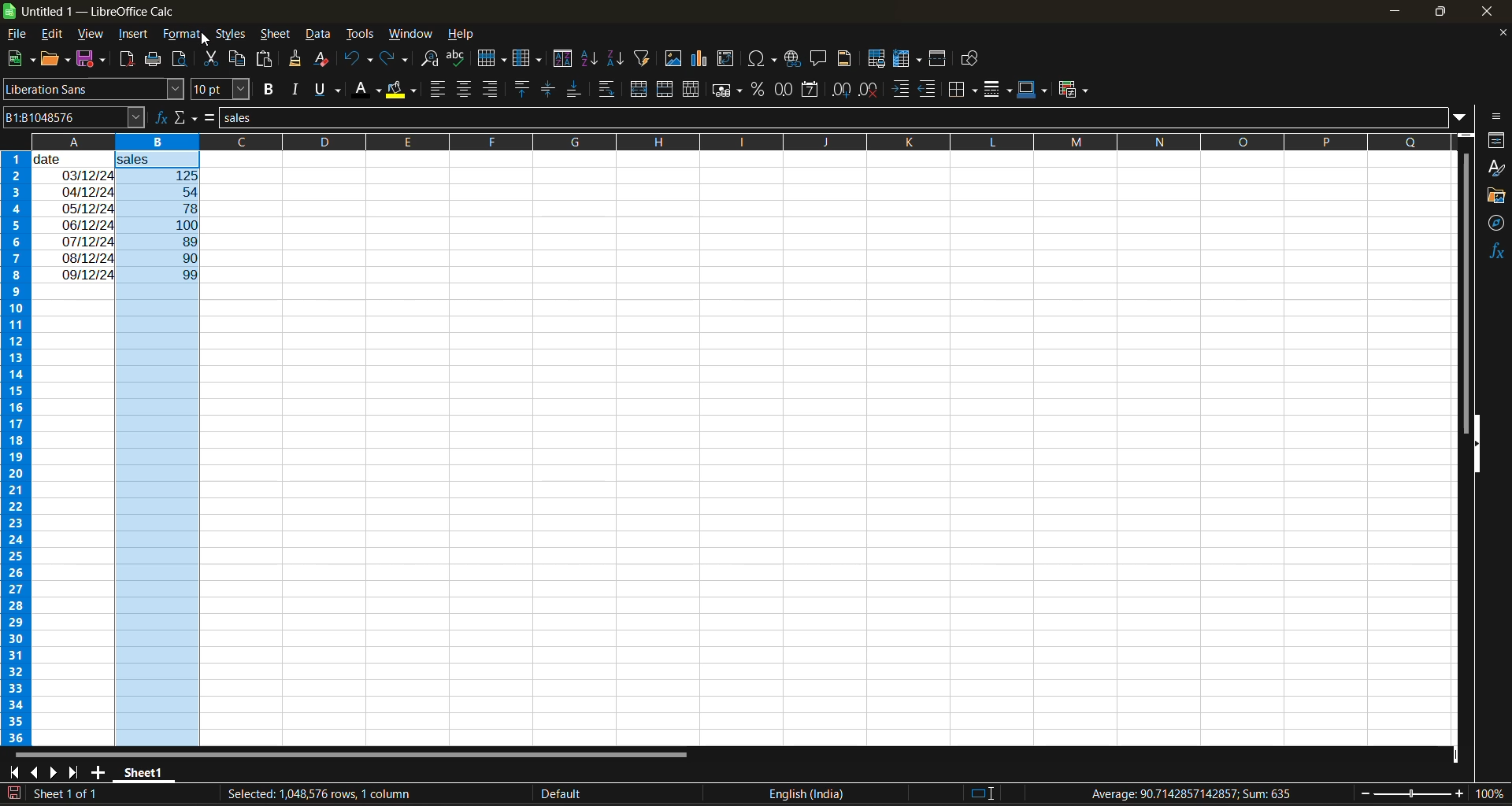 The height and width of the screenshot is (806, 1512). Describe the element at coordinates (1396, 9) in the screenshot. I see `minimize` at that location.